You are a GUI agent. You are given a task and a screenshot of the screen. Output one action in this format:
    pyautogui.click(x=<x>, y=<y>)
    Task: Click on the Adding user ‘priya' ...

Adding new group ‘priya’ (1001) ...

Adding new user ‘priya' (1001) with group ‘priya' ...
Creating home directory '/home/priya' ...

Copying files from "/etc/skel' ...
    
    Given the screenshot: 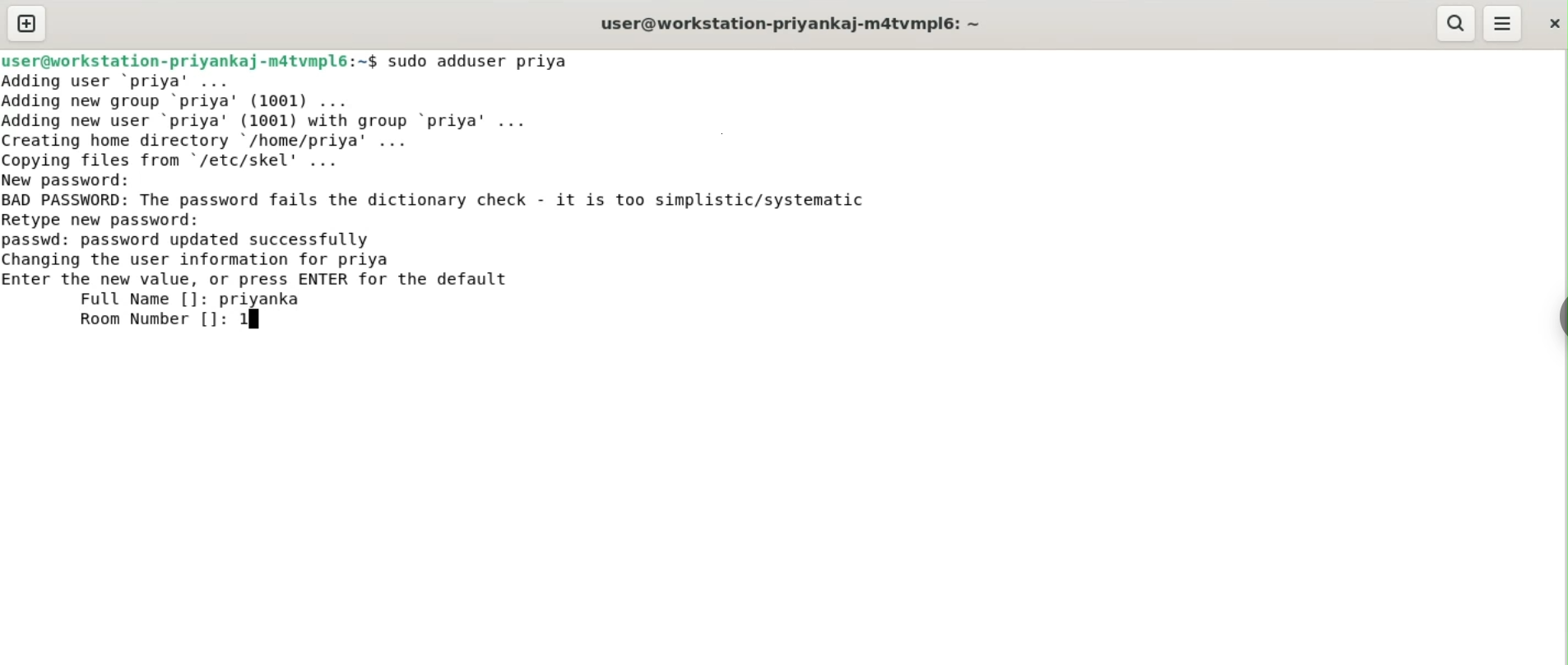 What is the action you would take?
    pyautogui.click(x=274, y=121)
    